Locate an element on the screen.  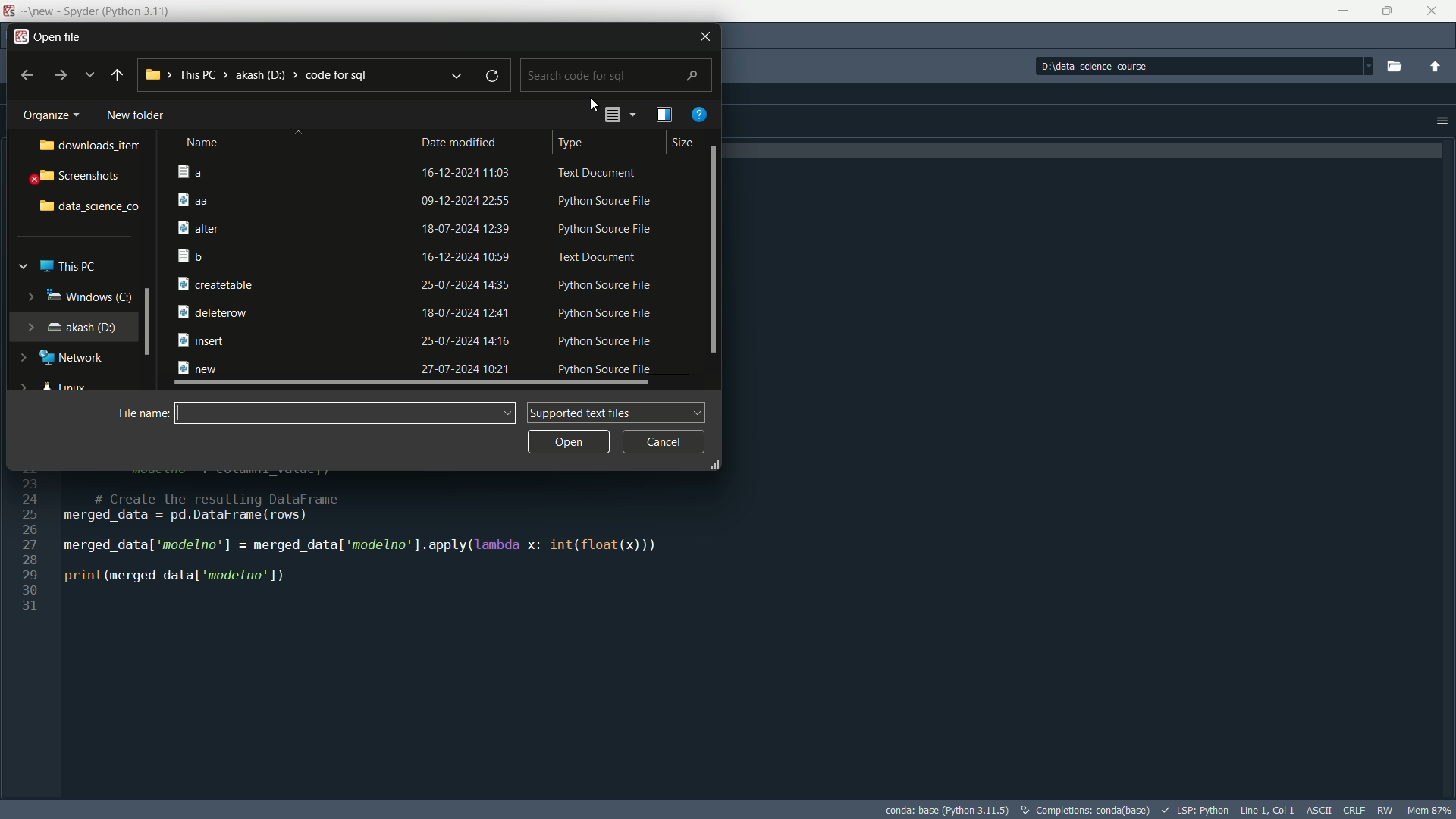
file-1 is located at coordinates (416, 171).